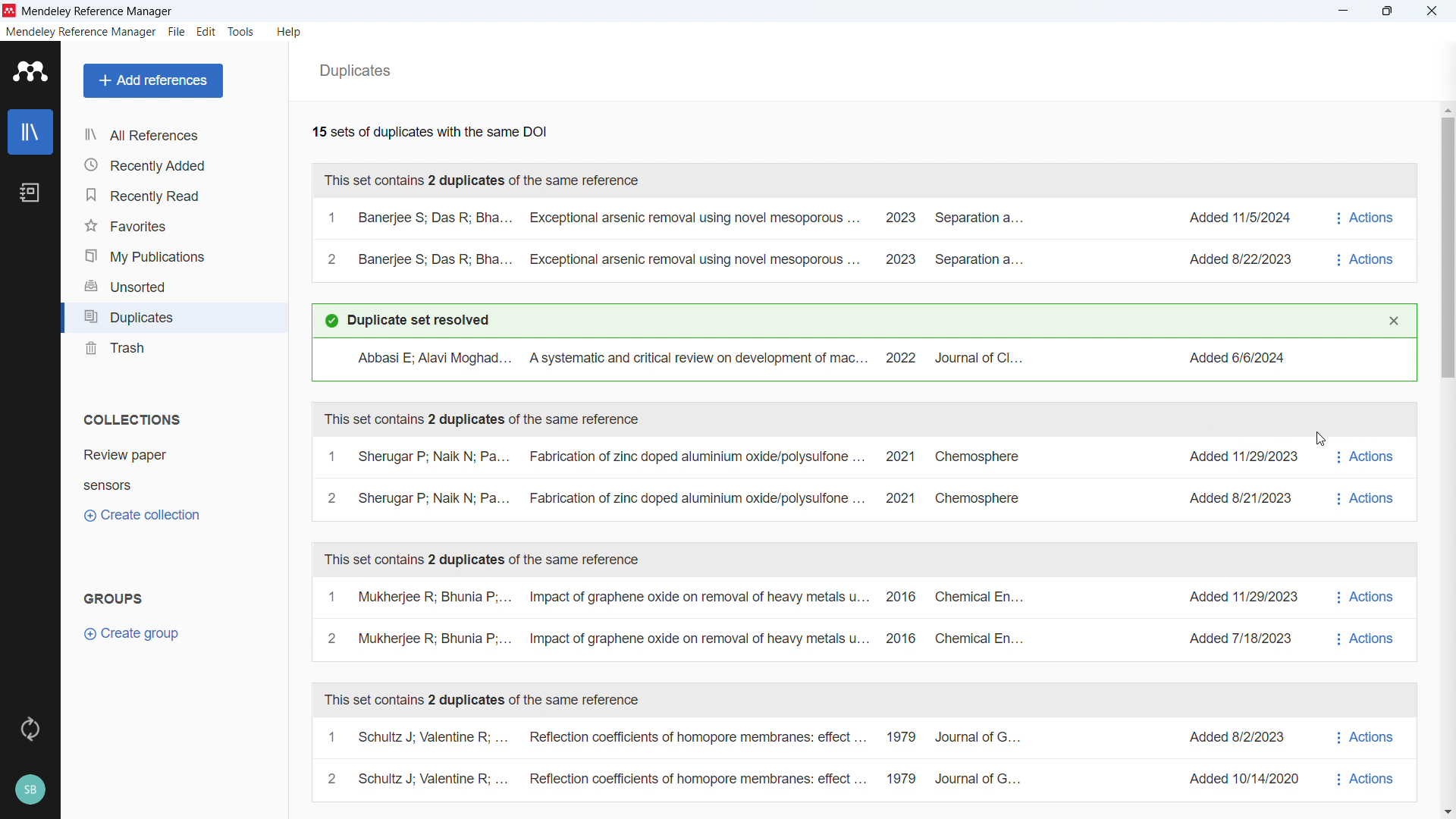 The image size is (1456, 819). What do you see at coordinates (206, 31) in the screenshot?
I see `edit` at bounding box center [206, 31].